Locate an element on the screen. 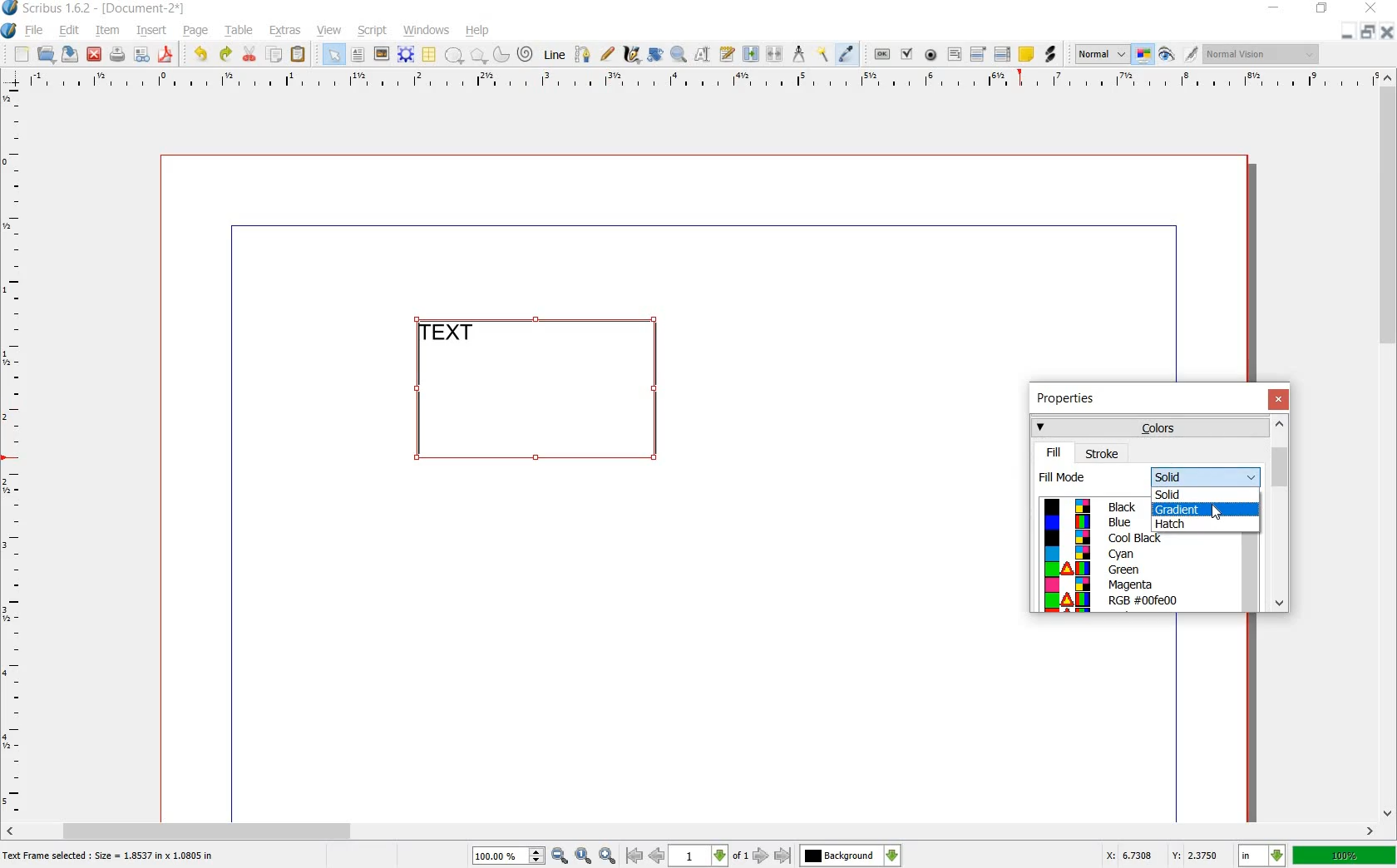  windows is located at coordinates (426, 31).